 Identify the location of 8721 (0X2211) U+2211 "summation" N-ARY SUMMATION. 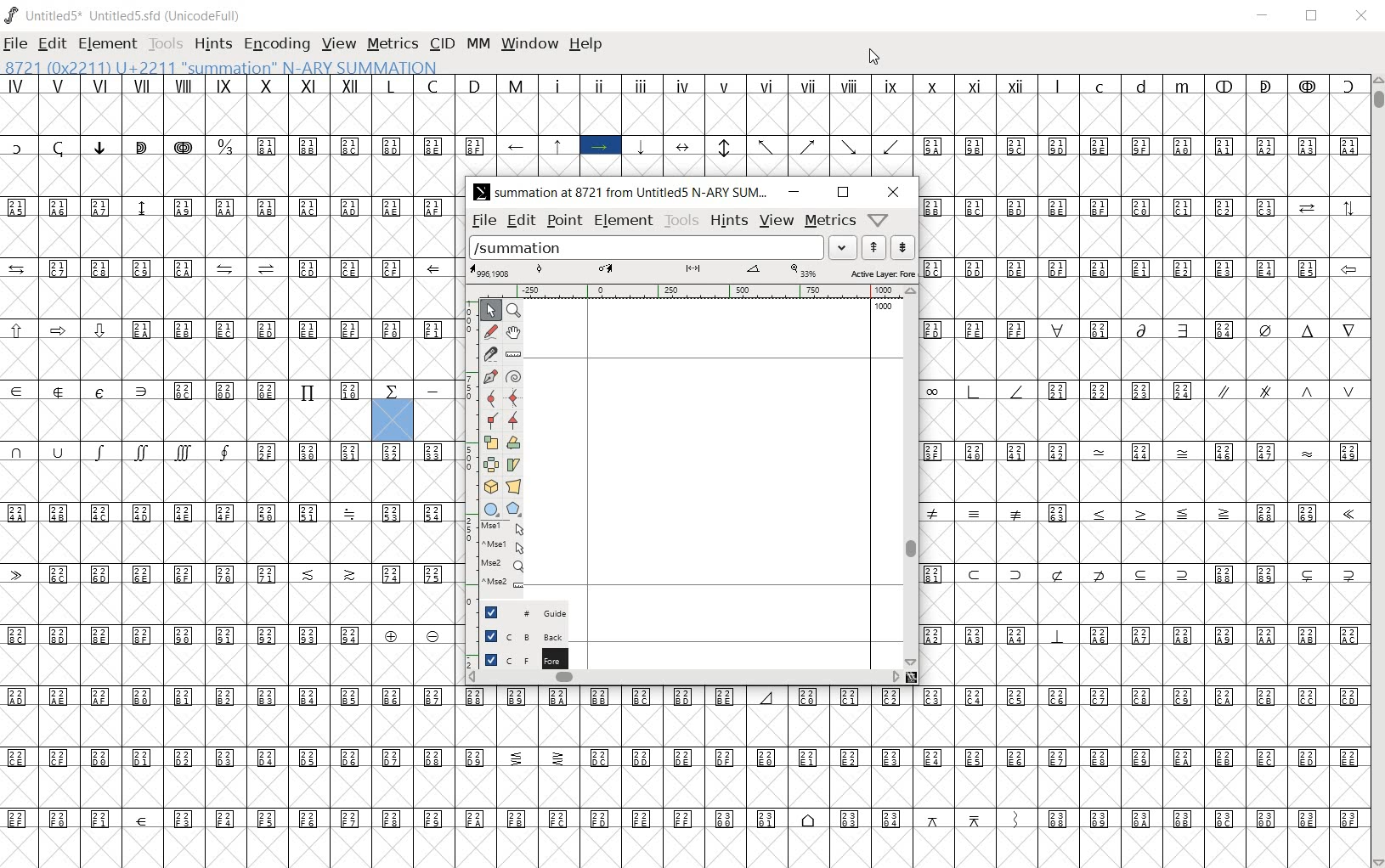
(221, 66).